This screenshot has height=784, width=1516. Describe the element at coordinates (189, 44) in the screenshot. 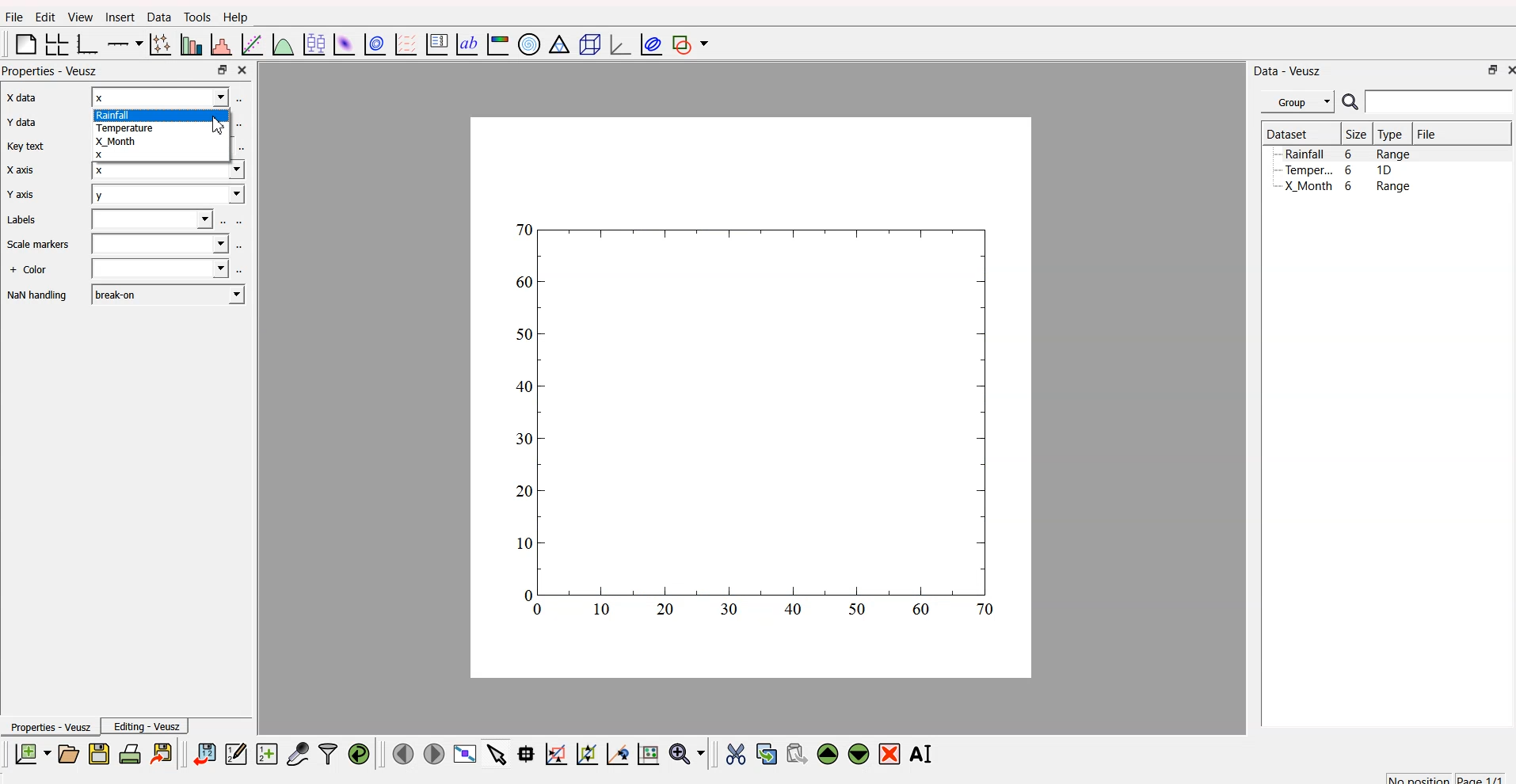

I see `plot bar chart` at that location.